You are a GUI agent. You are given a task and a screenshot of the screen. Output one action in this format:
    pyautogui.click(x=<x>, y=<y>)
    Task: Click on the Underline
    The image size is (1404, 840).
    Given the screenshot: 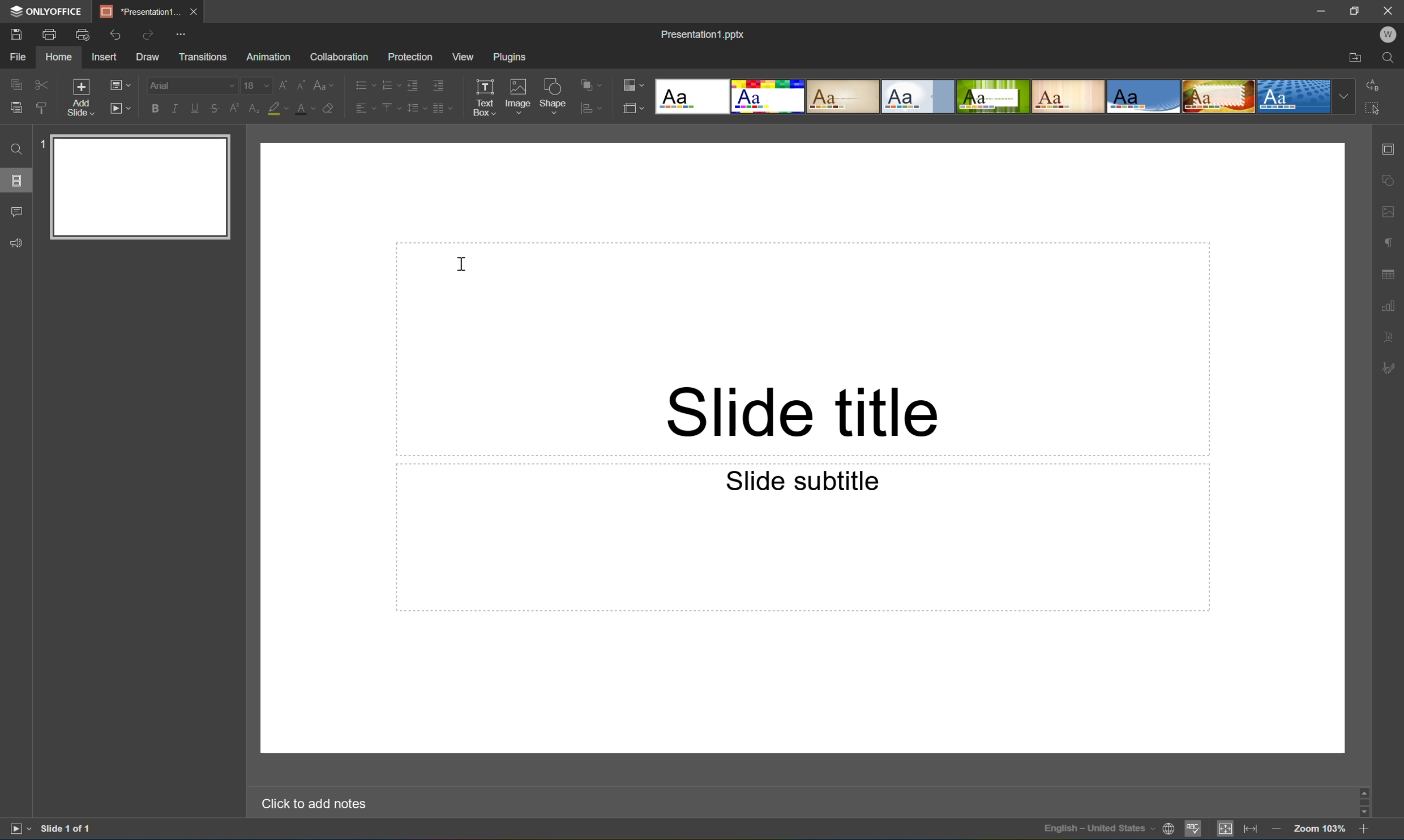 What is the action you would take?
    pyautogui.click(x=198, y=109)
    